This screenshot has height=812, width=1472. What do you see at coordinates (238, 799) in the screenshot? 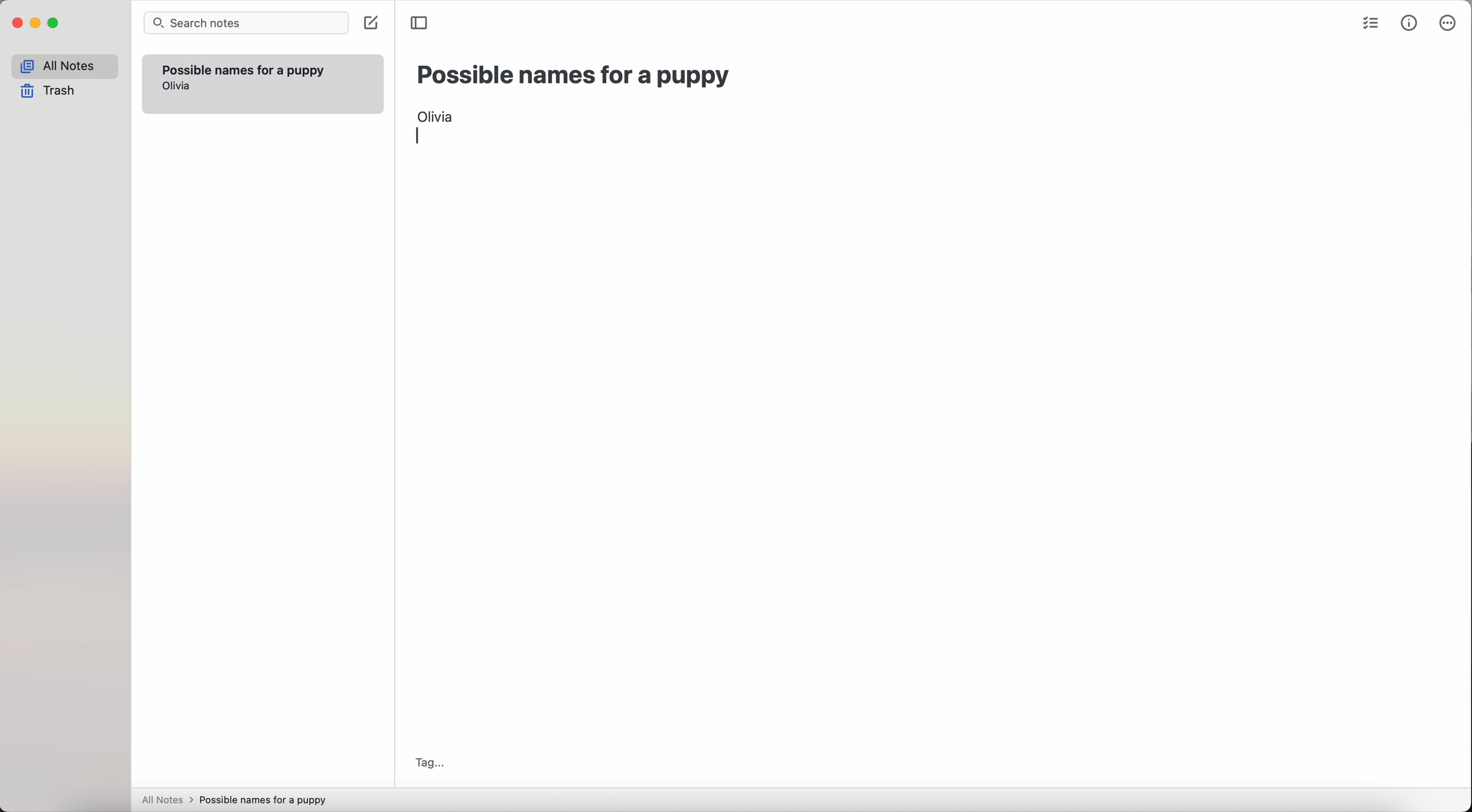
I see `all notes > possible names for a puppy` at bounding box center [238, 799].